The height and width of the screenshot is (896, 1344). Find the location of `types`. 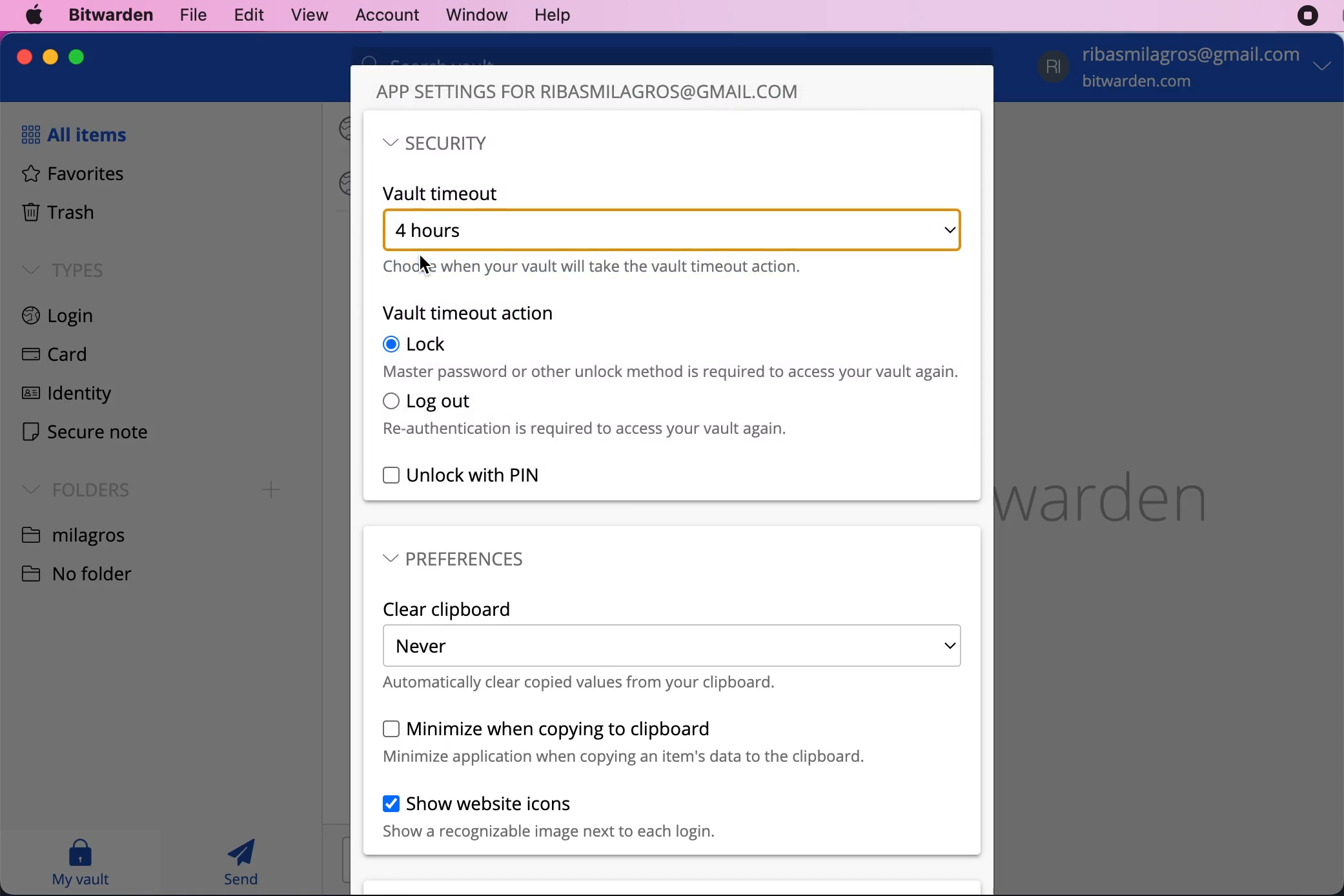

types is located at coordinates (63, 269).